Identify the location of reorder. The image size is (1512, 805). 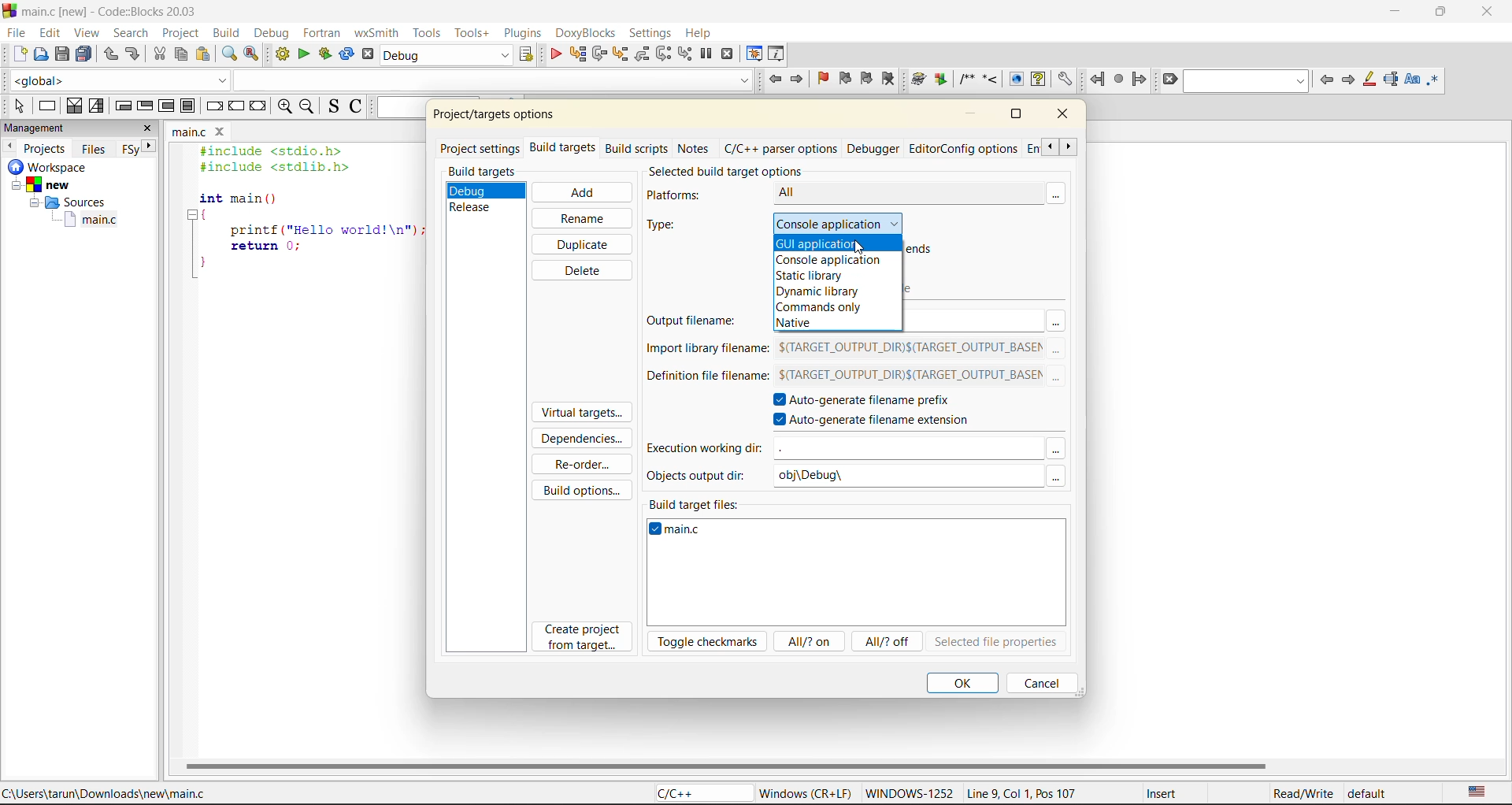
(580, 465).